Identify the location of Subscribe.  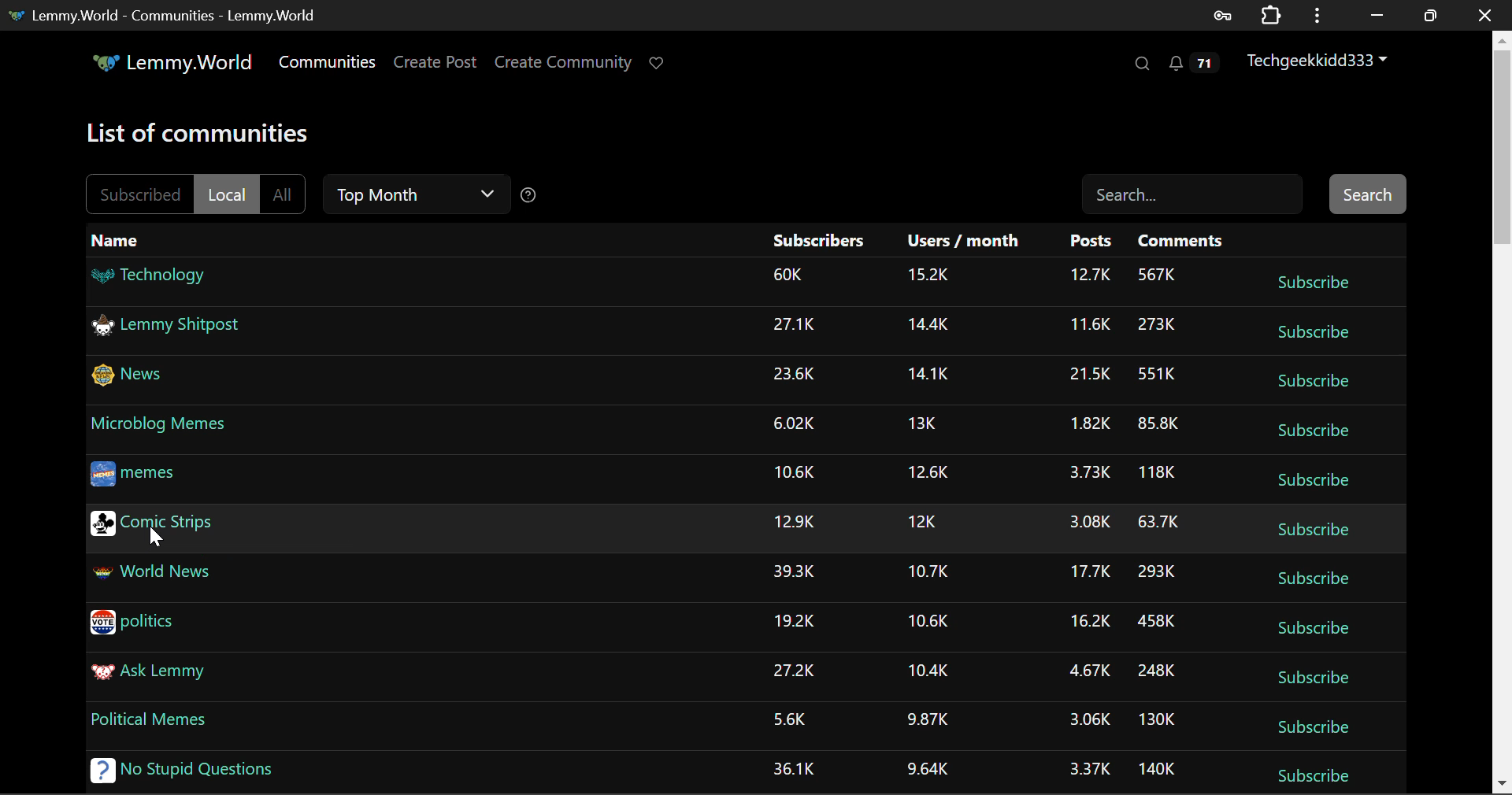
(1310, 679).